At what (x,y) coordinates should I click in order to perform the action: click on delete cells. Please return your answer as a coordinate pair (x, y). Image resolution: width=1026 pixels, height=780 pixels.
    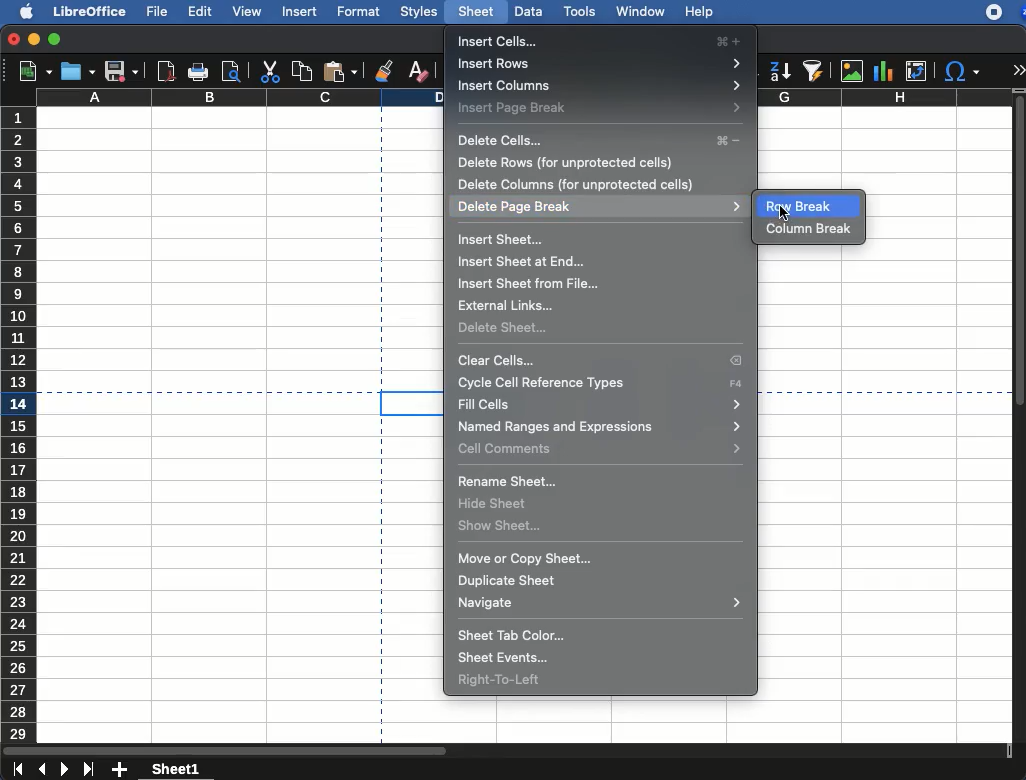
    Looking at the image, I should click on (603, 142).